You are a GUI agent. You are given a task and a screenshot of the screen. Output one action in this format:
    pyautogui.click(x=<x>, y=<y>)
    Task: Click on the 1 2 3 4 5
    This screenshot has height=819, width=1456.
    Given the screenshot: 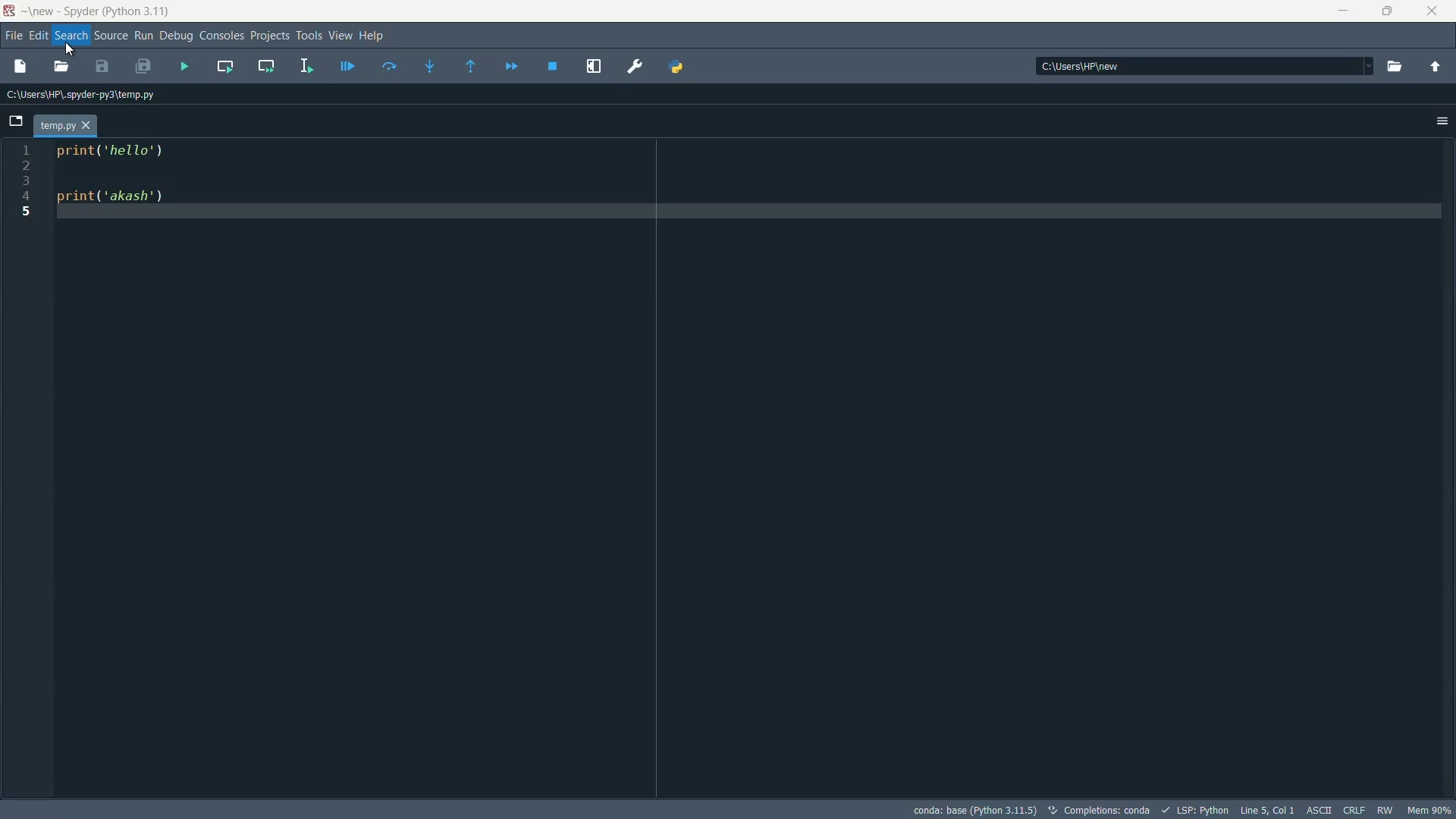 What is the action you would take?
    pyautogui.click(x=26, y=186)
    